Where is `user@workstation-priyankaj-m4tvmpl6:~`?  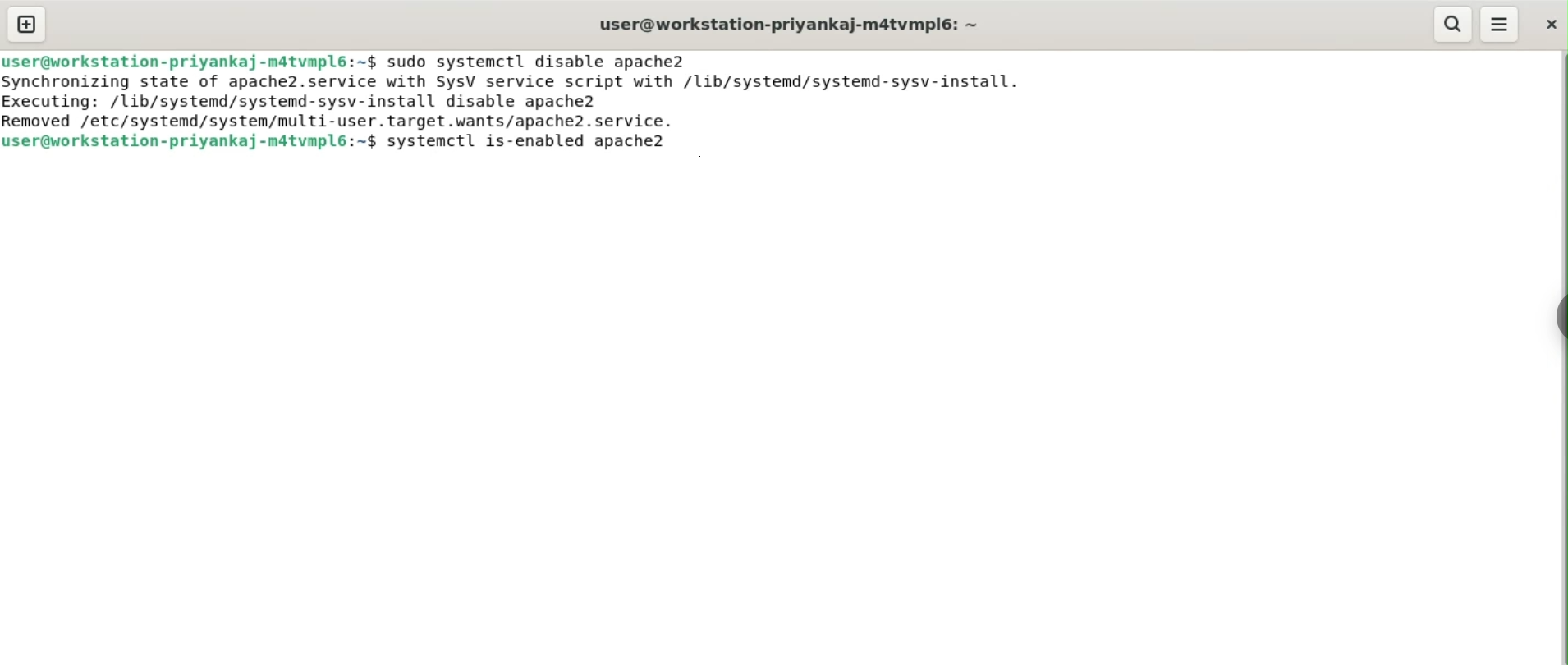
user@workstation-priyankaj-m4tvmpl6:~ is located at coordinates (791, 25).